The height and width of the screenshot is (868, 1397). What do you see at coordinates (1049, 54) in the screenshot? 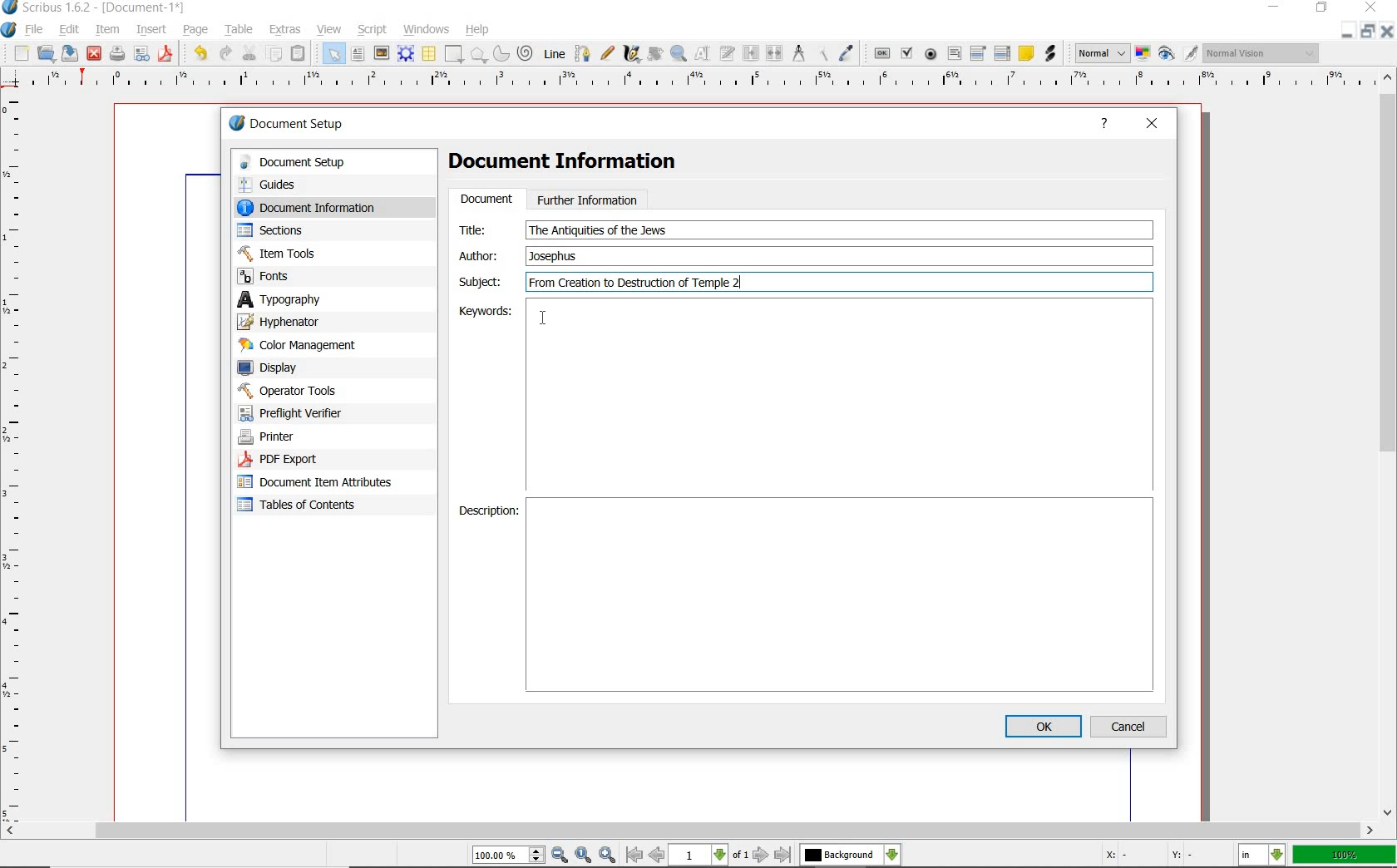
I see `link annotation` at bounding box center [1049, 54].